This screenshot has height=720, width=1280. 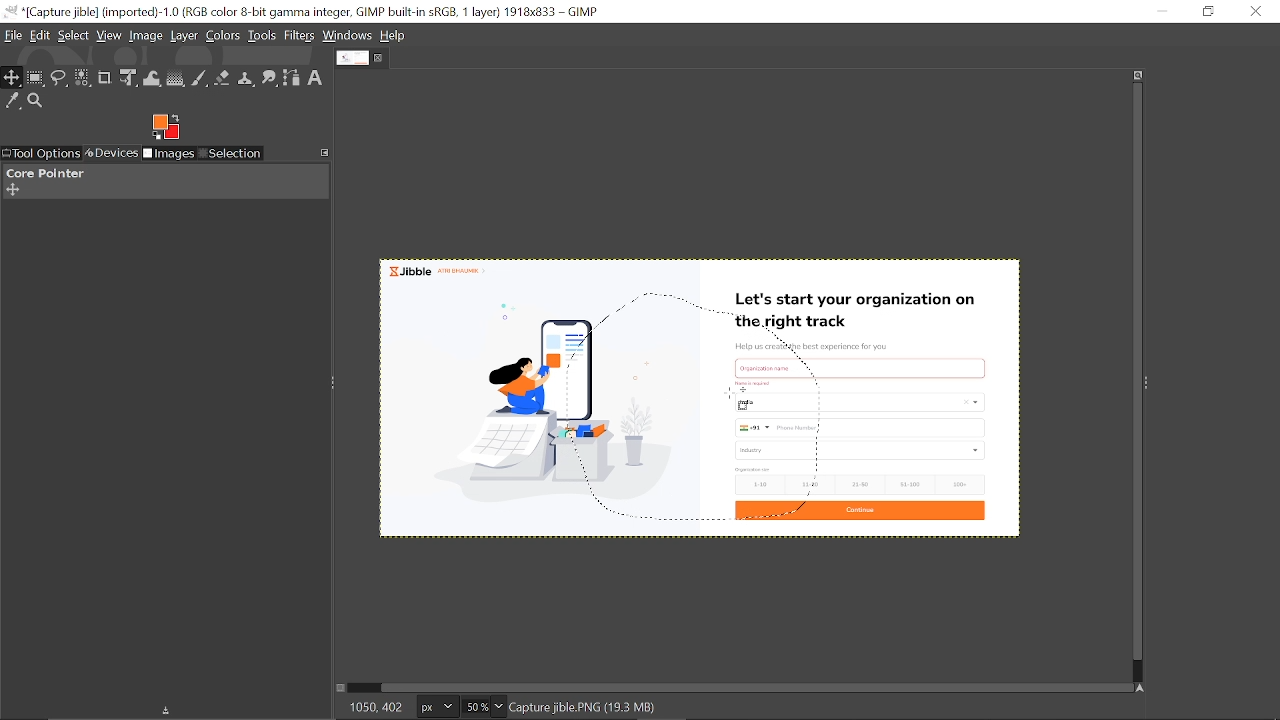 I want to click on industry, so click(x=862, y=450).